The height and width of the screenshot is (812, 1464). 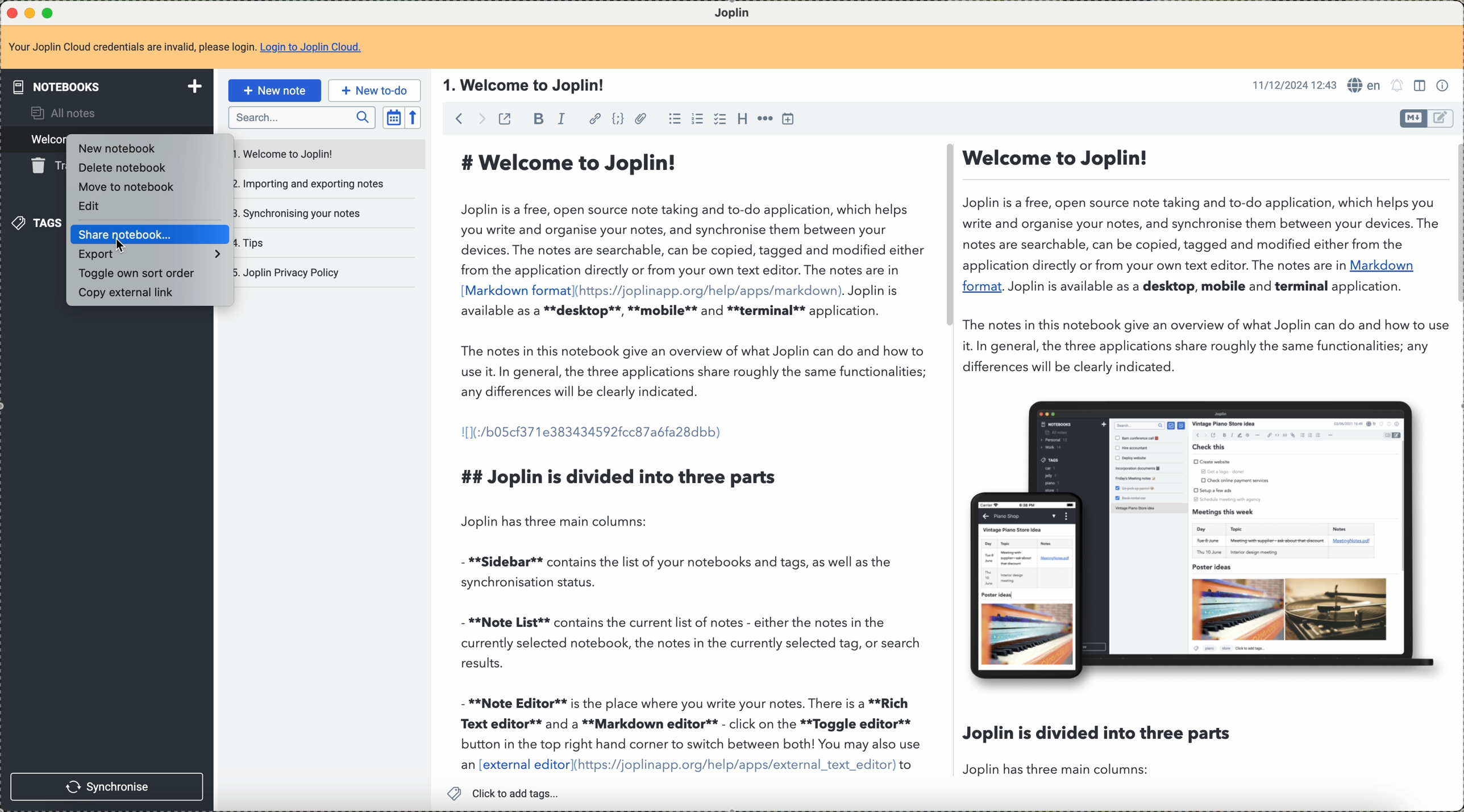 What do you see at coordinates (1293, 84) in the screenshot?
I see `11/12/2024 12:43` at bounding box center [1293, 84].